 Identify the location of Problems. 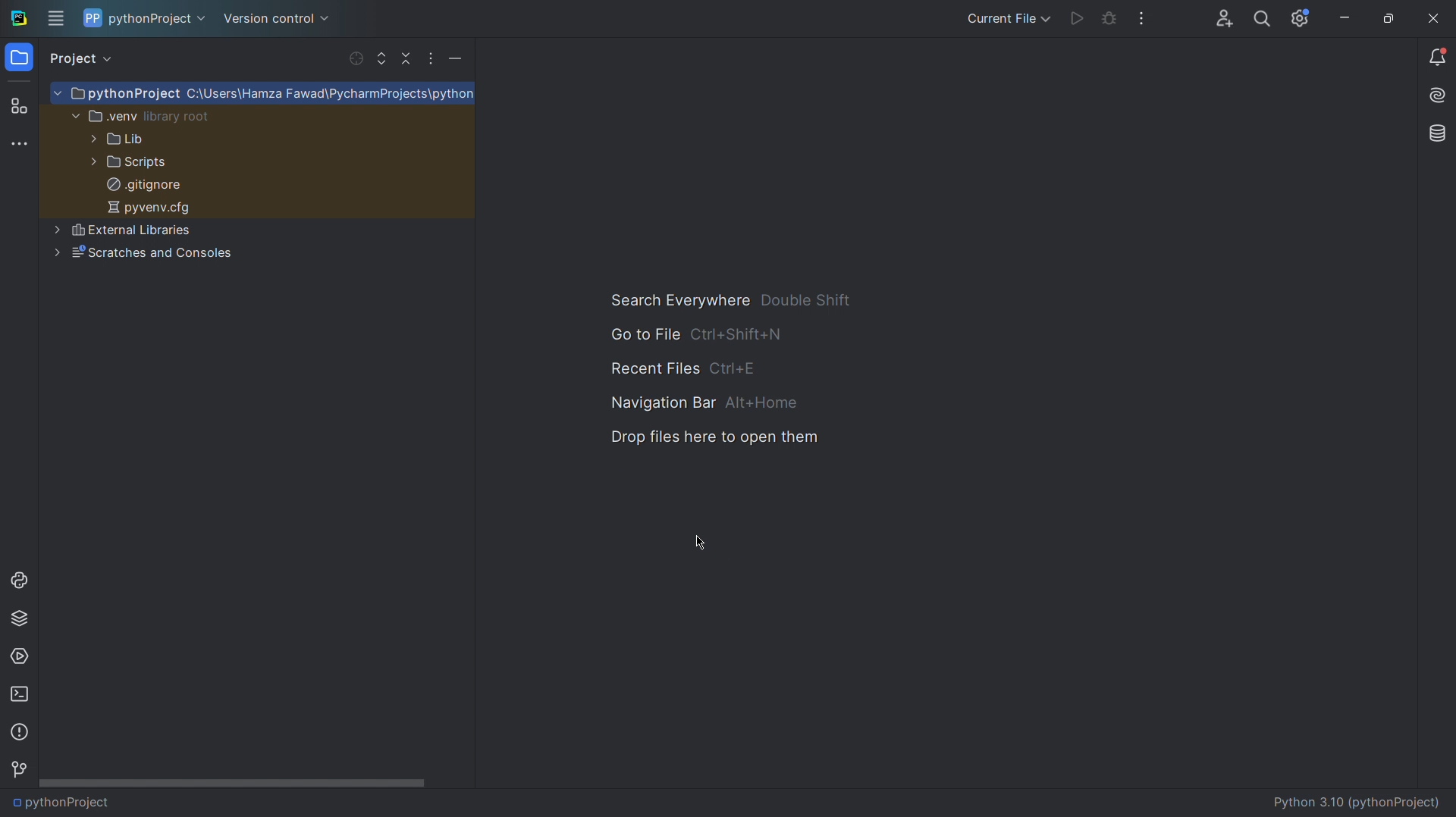
(22, 732).